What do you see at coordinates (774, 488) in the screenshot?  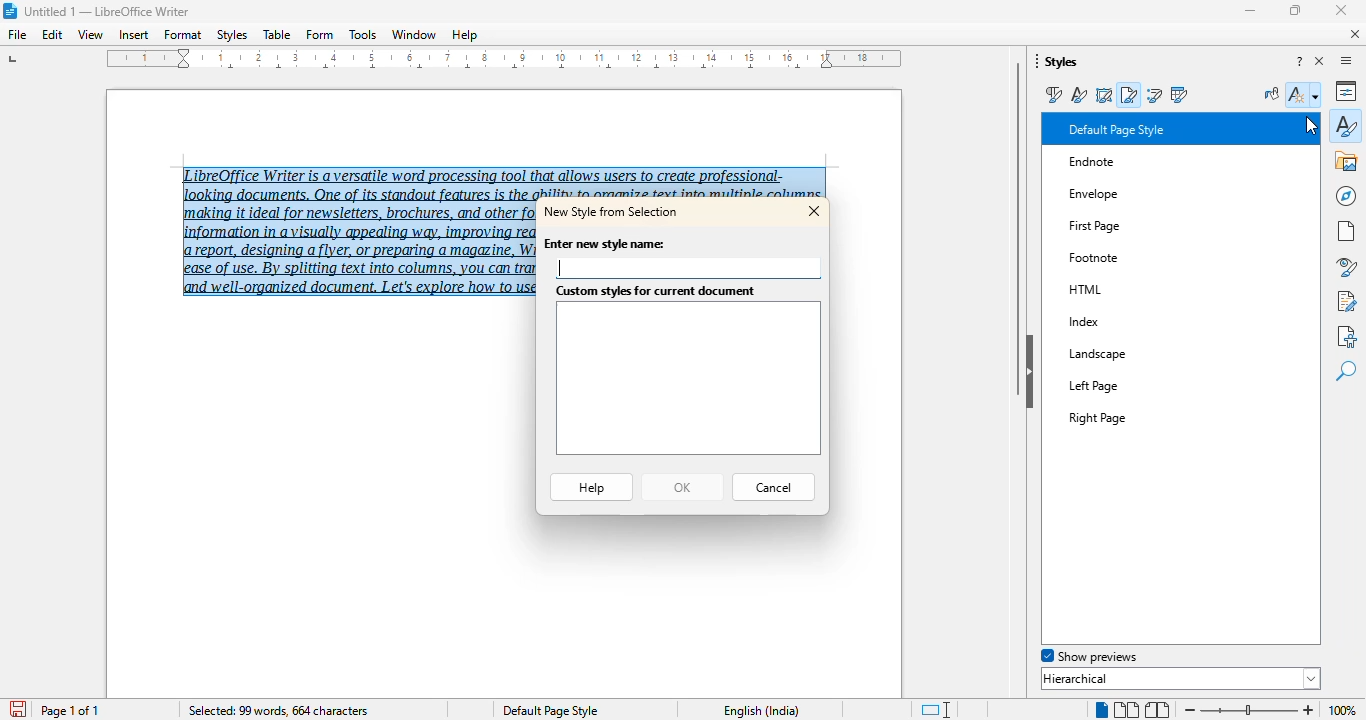 I see `cancel` at bounding box center [774, 488].